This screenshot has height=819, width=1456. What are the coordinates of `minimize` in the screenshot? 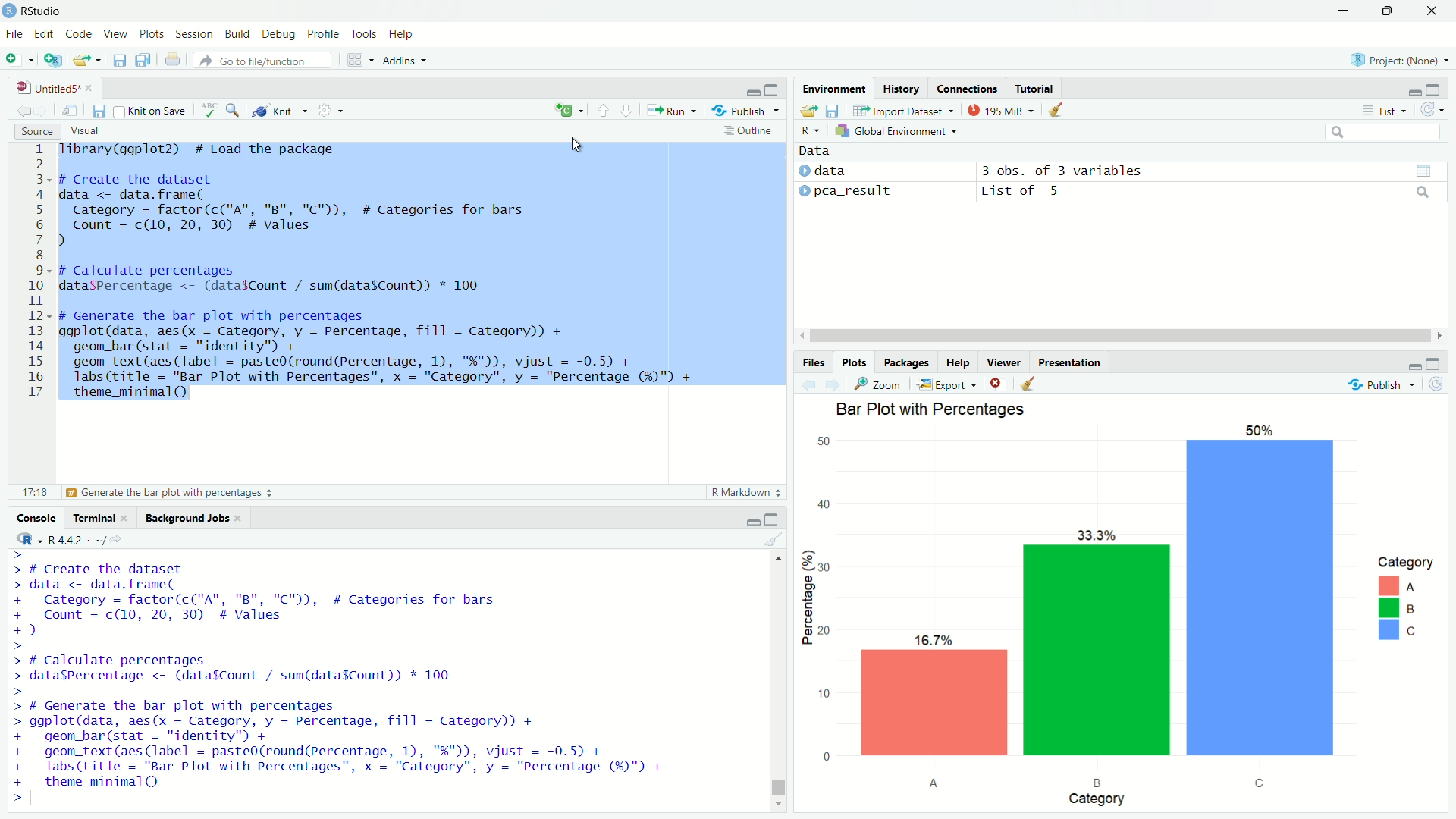 It's located at (1414, 89).